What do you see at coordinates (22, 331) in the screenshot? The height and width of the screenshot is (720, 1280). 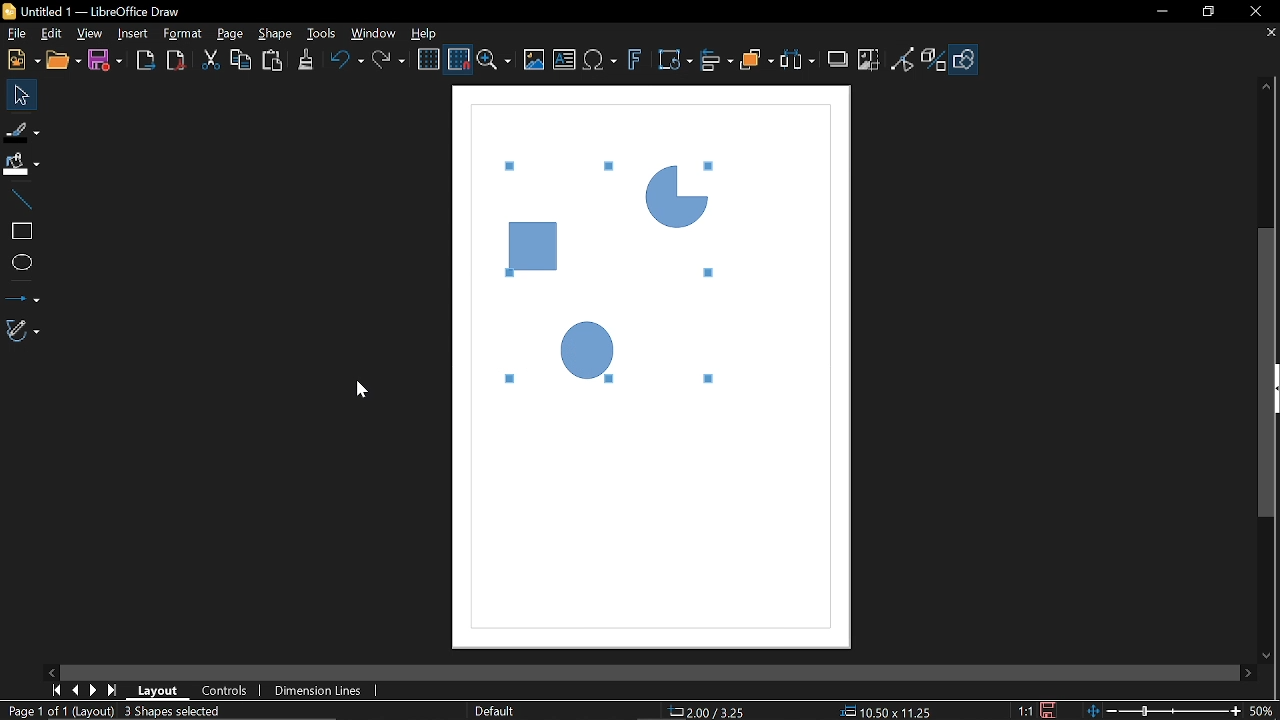 I see `Curves and polygons` at bounding box center [22, 331].